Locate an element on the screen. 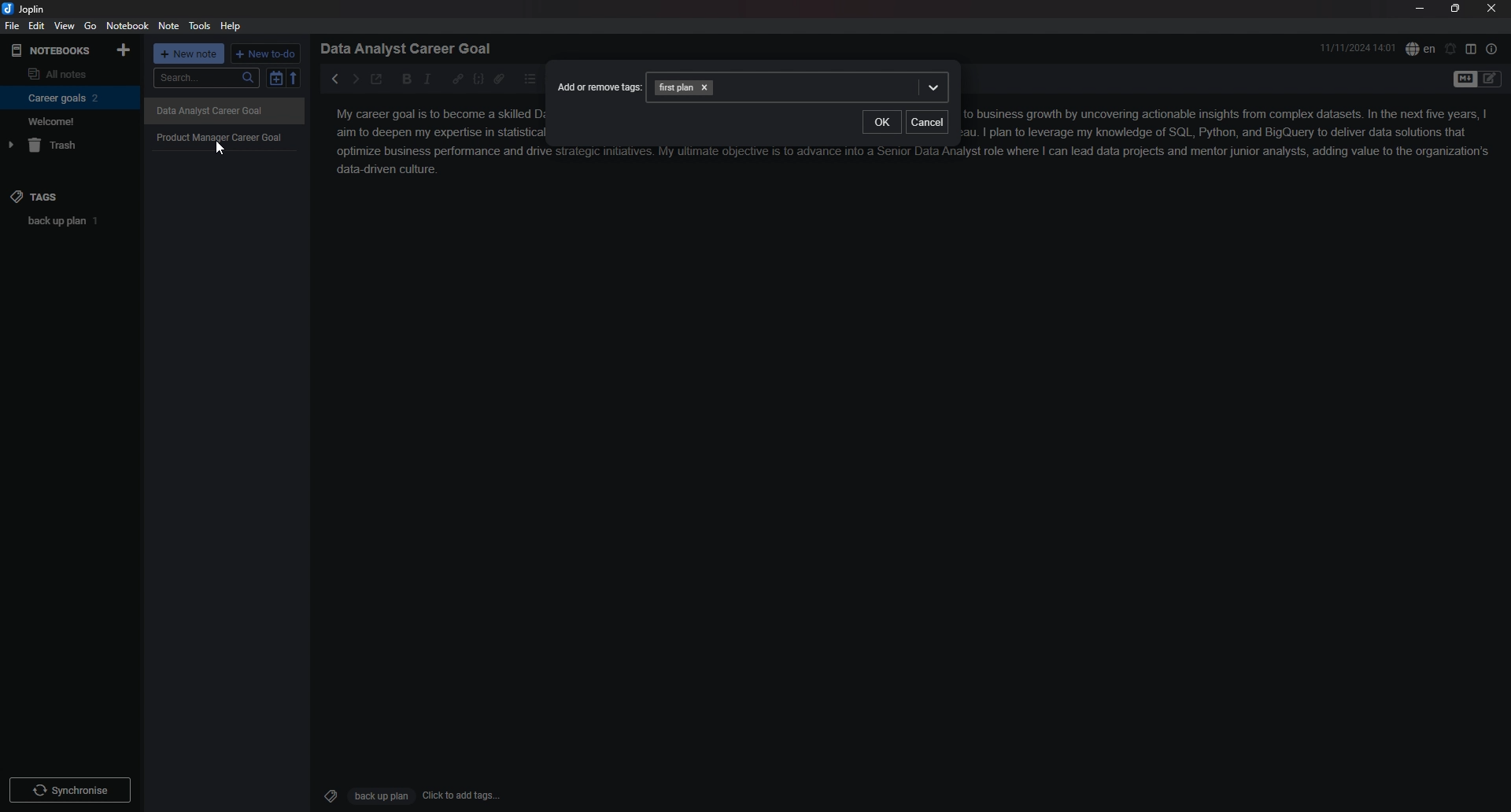 This screenshot has width=1511, height=812. toggle editor layout is located at coordinates (1471, 48).